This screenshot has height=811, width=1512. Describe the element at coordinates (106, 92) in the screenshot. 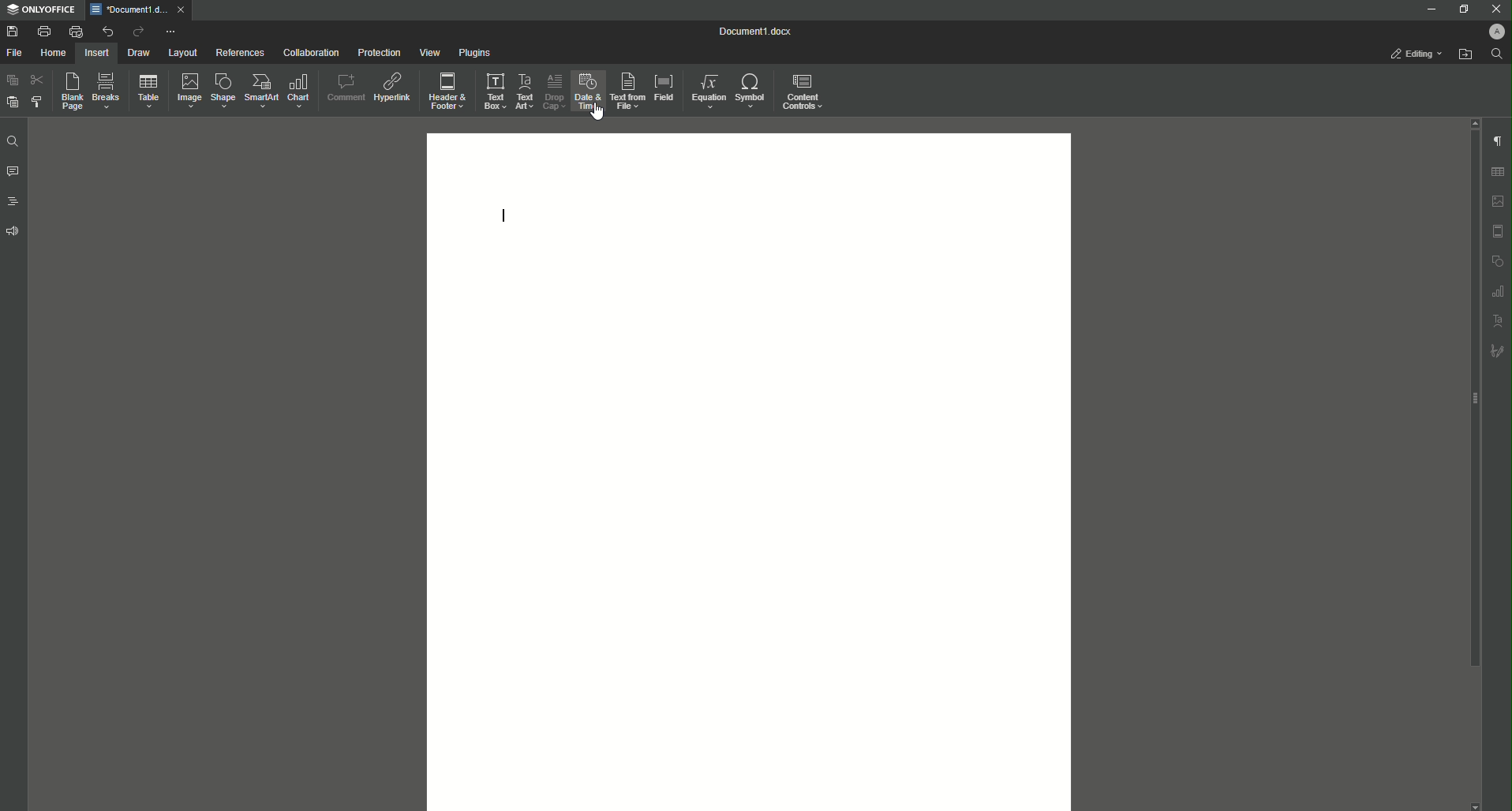

I see `Breaks` at that location.